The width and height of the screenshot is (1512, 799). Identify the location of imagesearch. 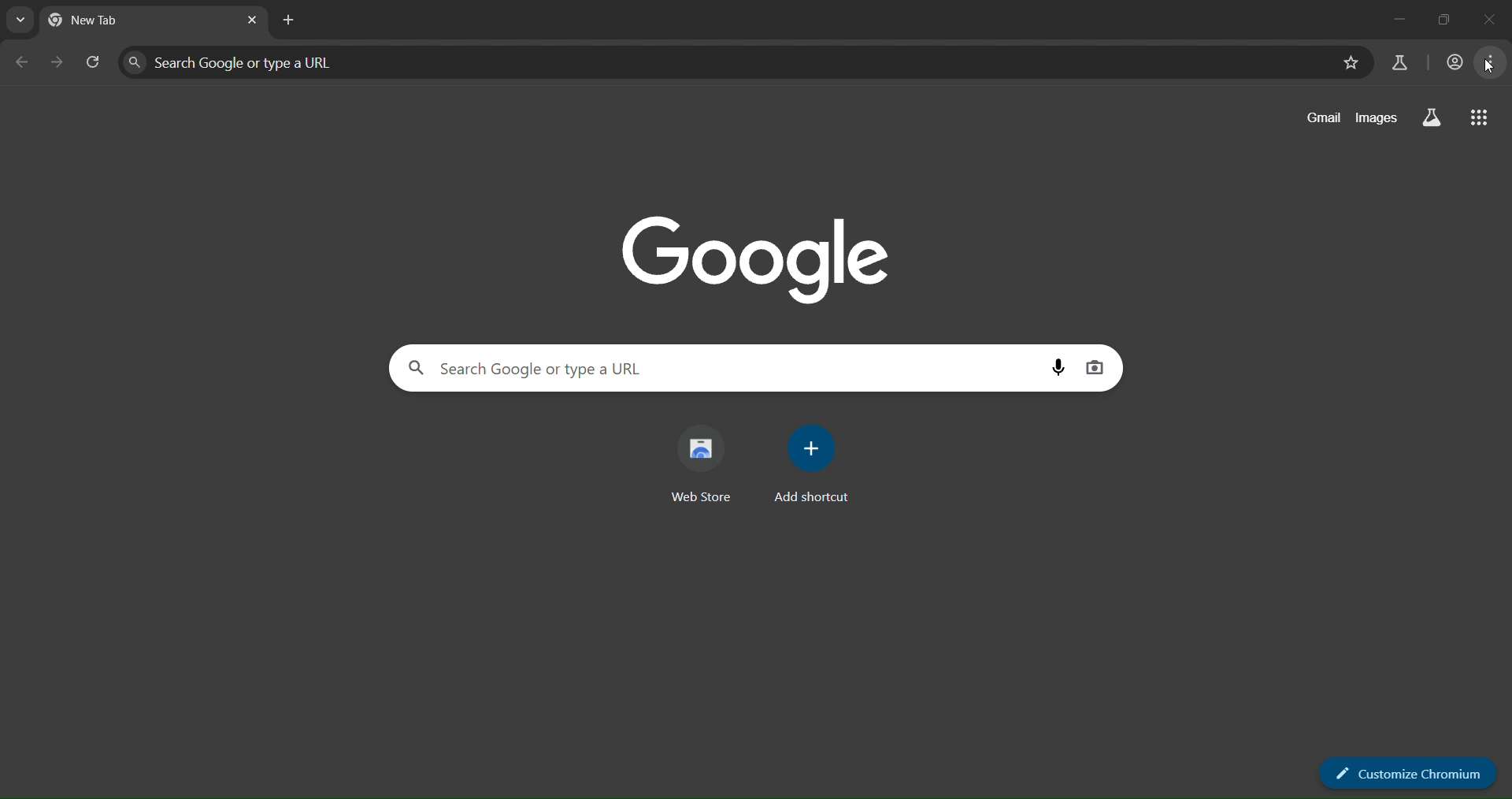
(1100, 370).